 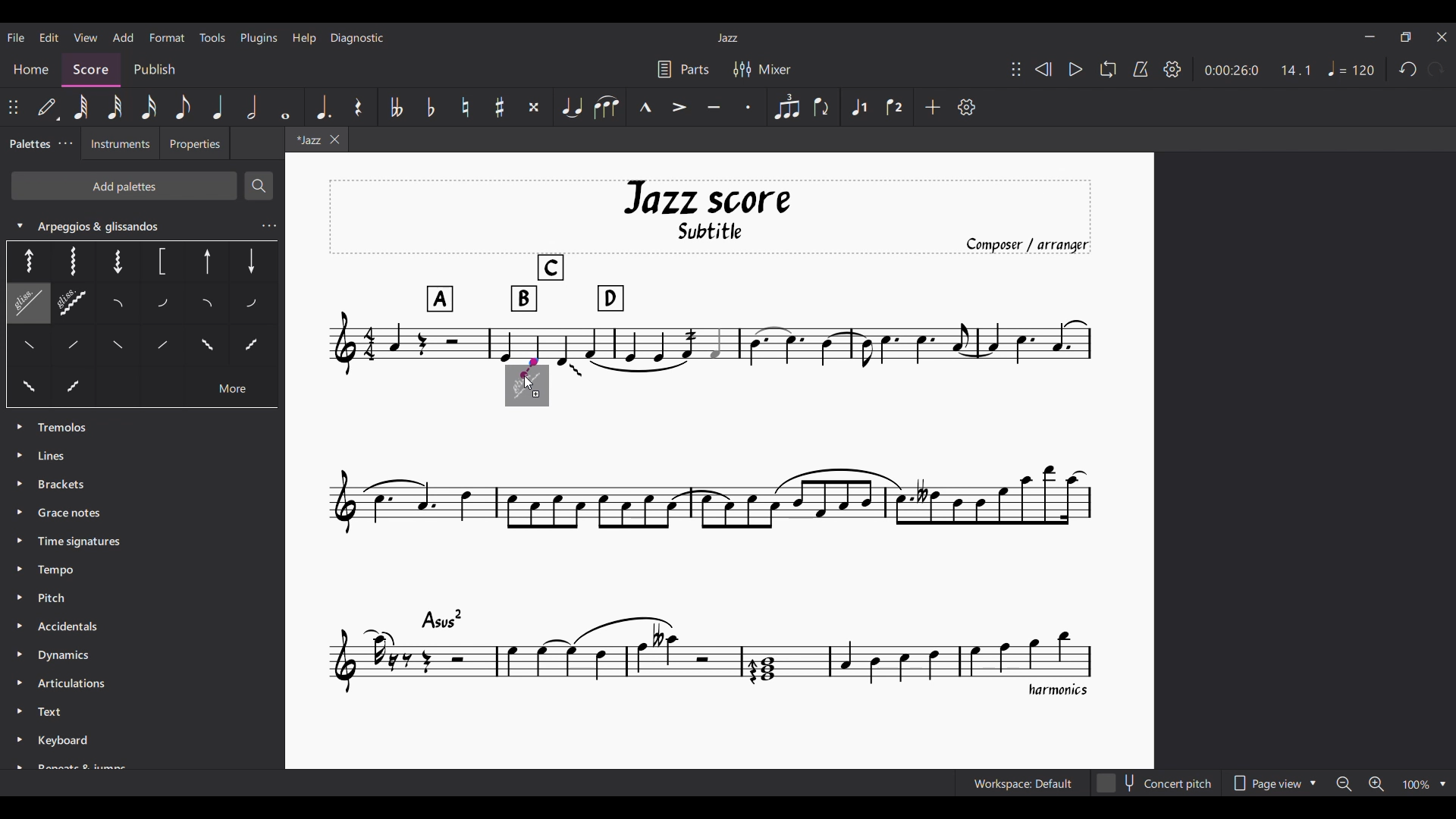 I want to click on Palate 17, so click(x=252, y=350).